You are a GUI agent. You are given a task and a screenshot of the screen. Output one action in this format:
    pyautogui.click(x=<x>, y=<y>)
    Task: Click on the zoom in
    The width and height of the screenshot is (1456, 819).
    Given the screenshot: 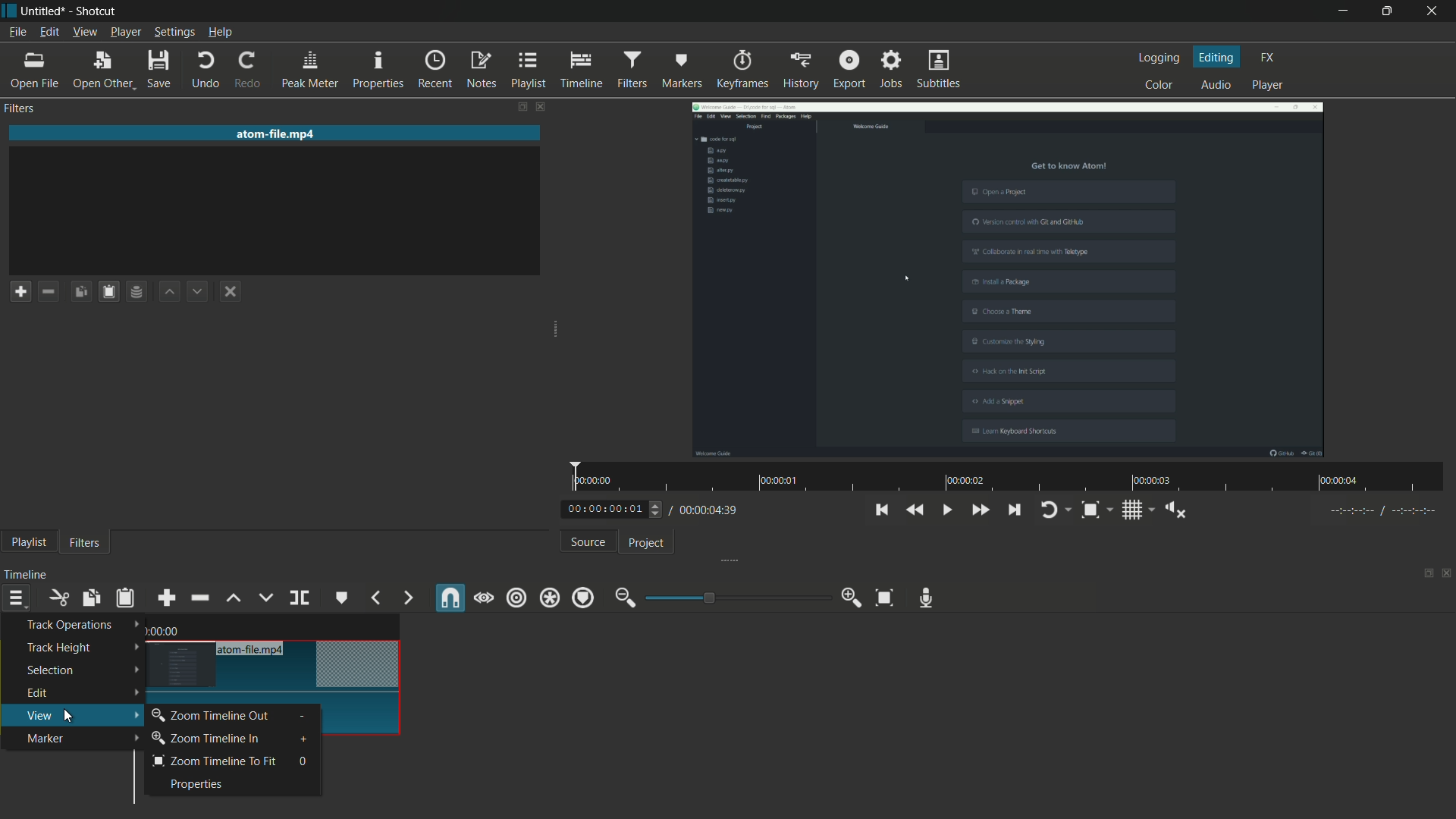 What is the action you would take?
    pyautogui.click(x=854, y=598)
    